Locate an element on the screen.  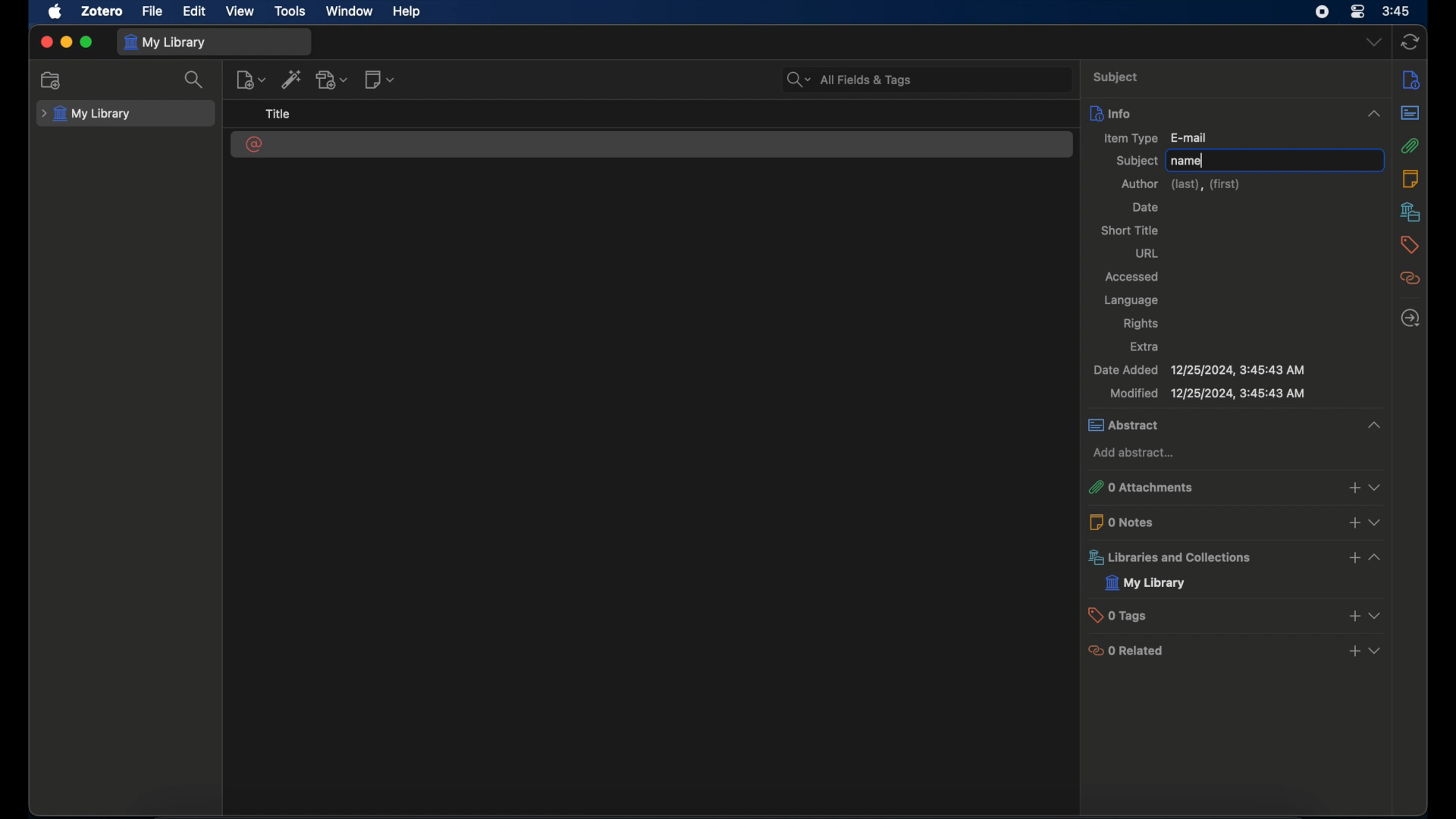
edit is located at coordinates (196, 12).